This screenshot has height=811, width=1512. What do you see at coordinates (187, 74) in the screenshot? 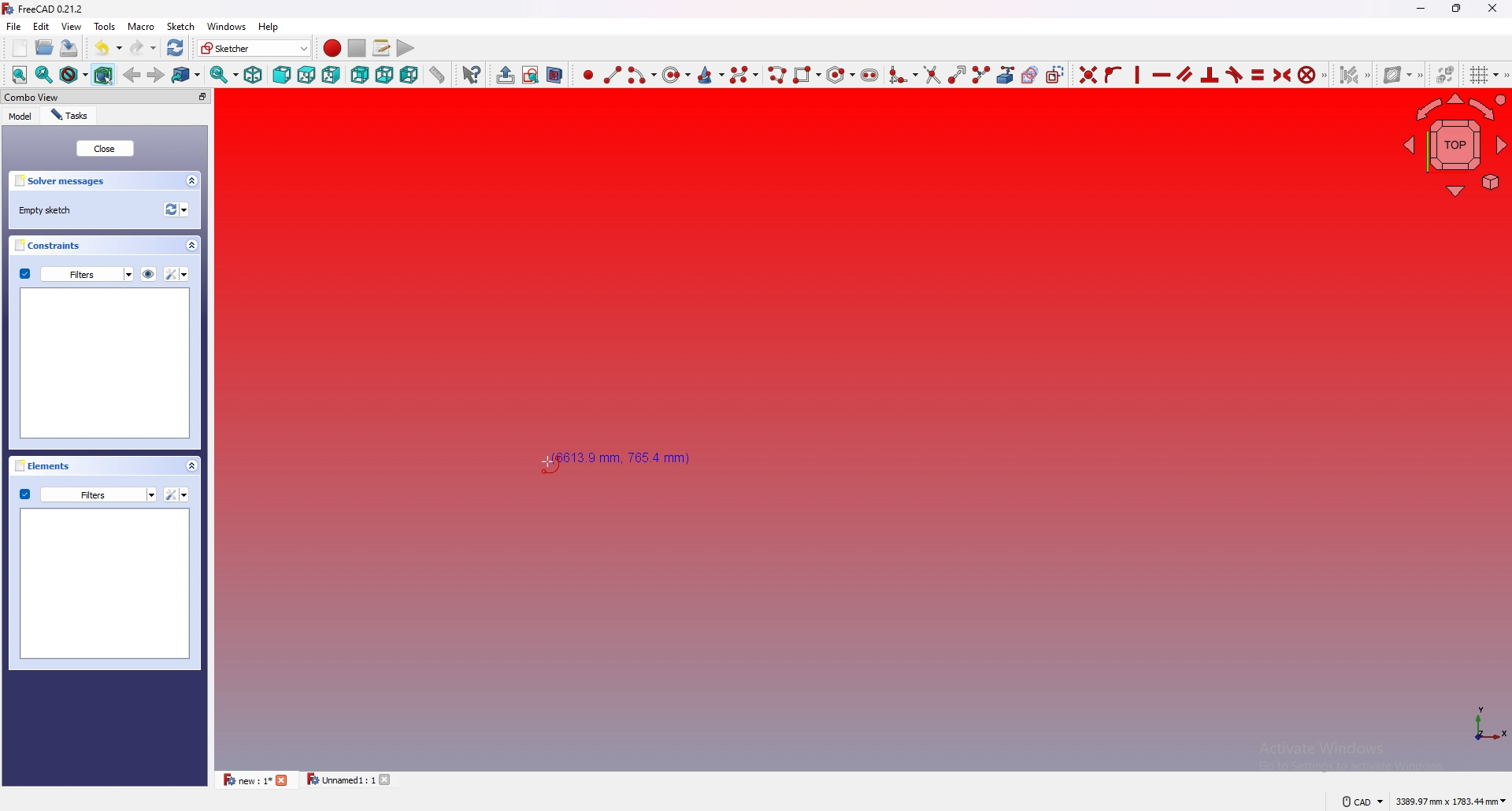
I see `go to linked object` at bounding box center [187, 74].